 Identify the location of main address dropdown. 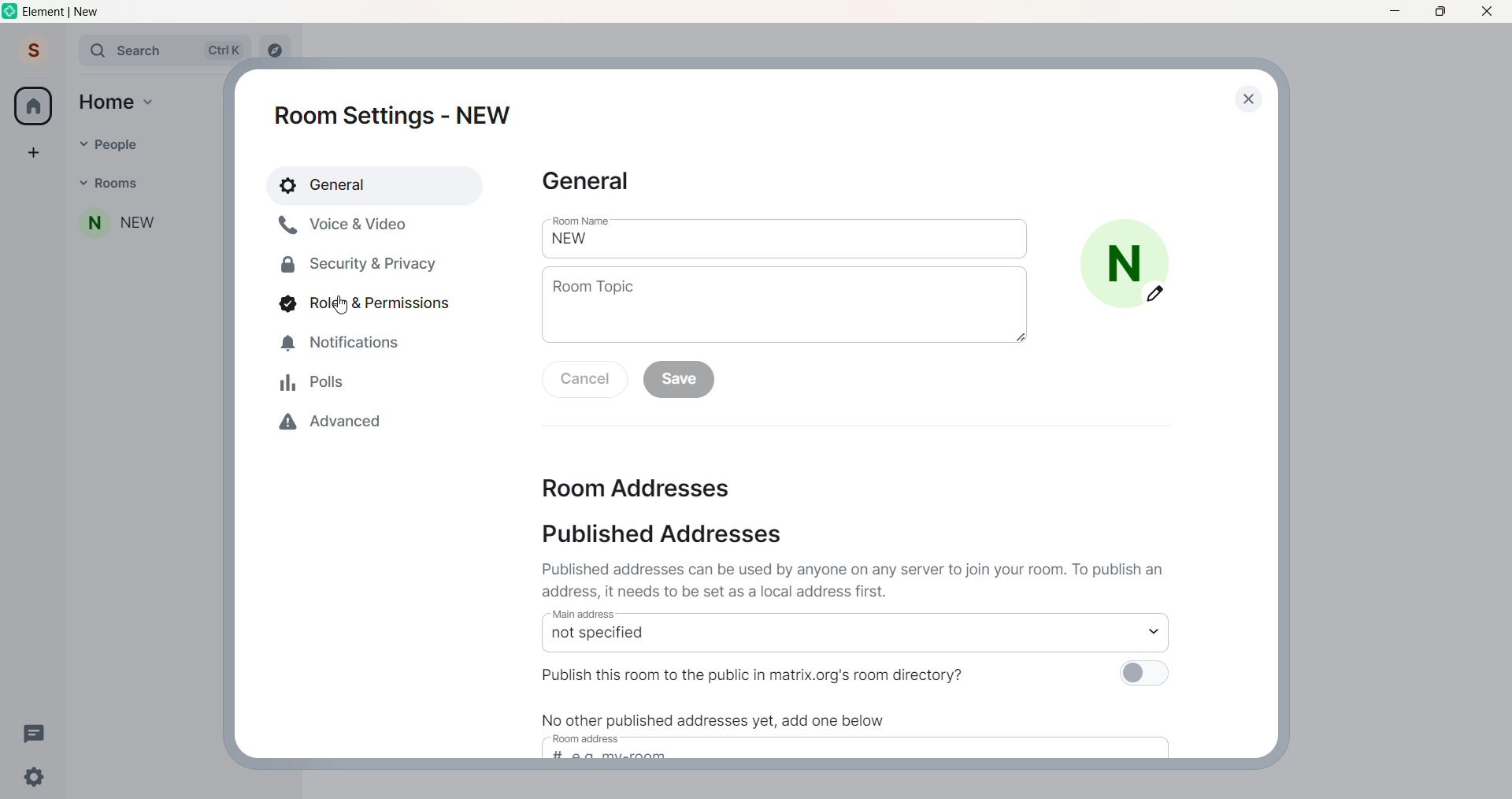
(1163, 630).